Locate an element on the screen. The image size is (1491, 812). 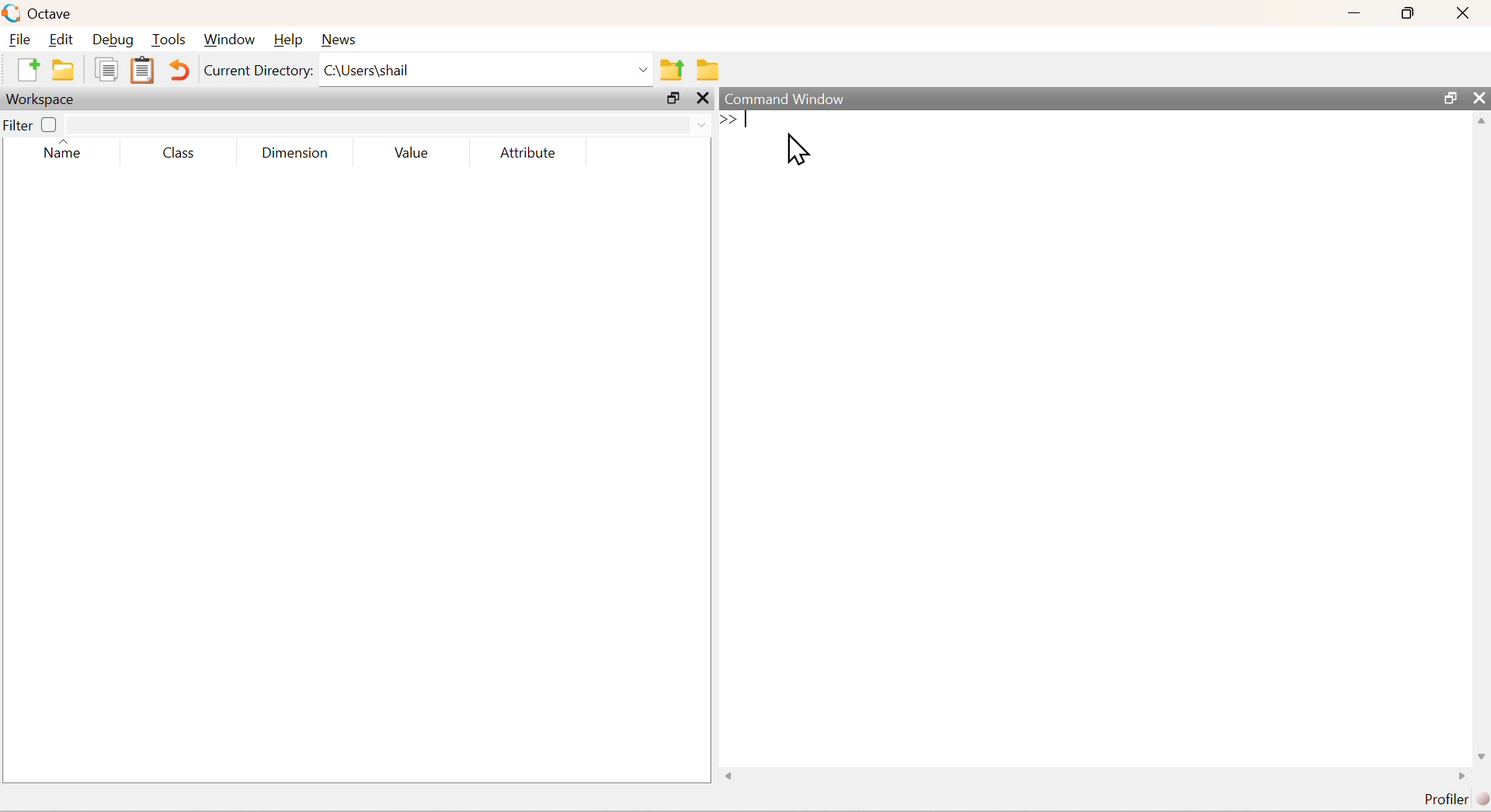
Attribute is located at coordinates (526, 151).